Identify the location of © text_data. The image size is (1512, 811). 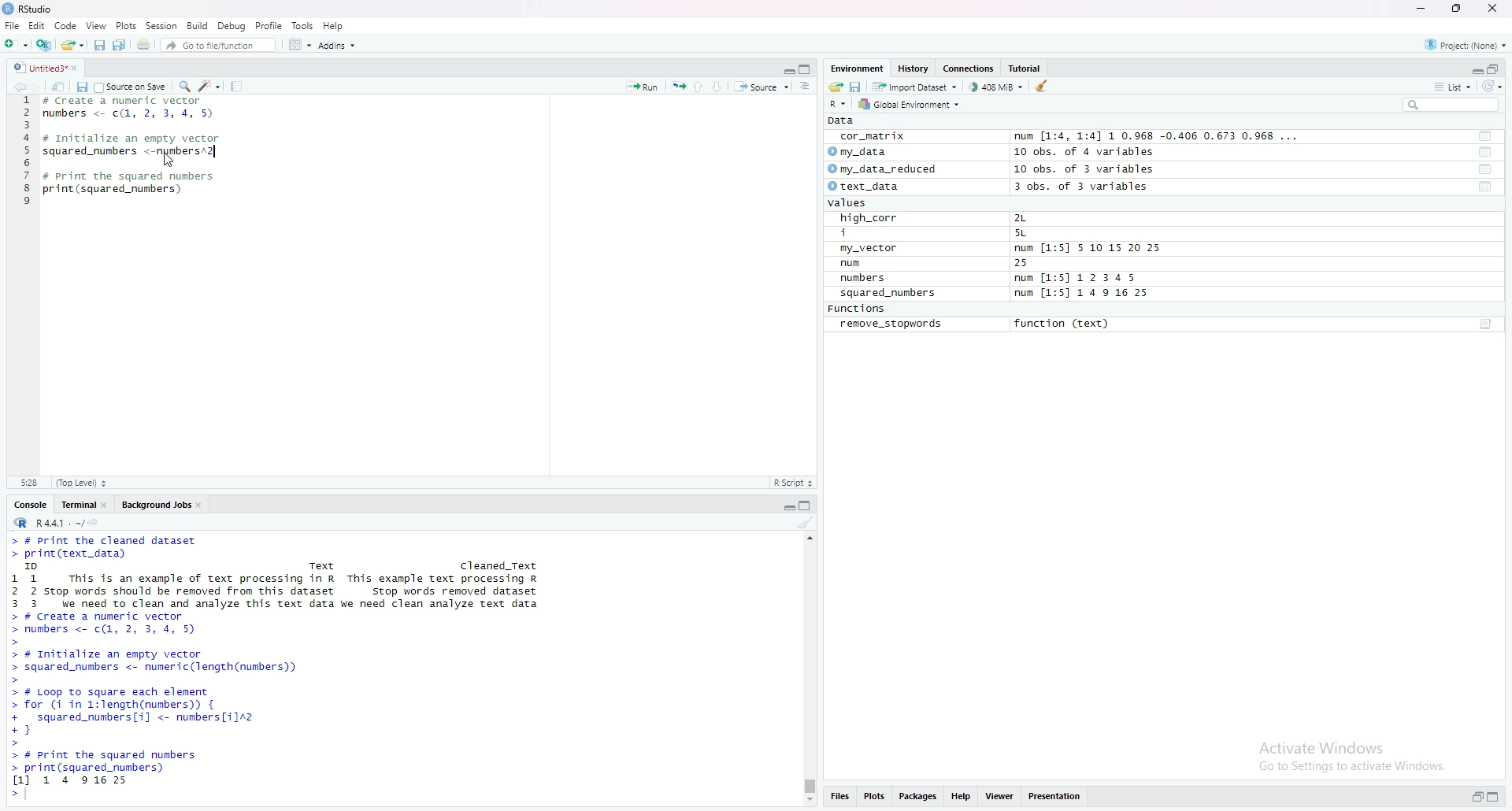
(865, 187).